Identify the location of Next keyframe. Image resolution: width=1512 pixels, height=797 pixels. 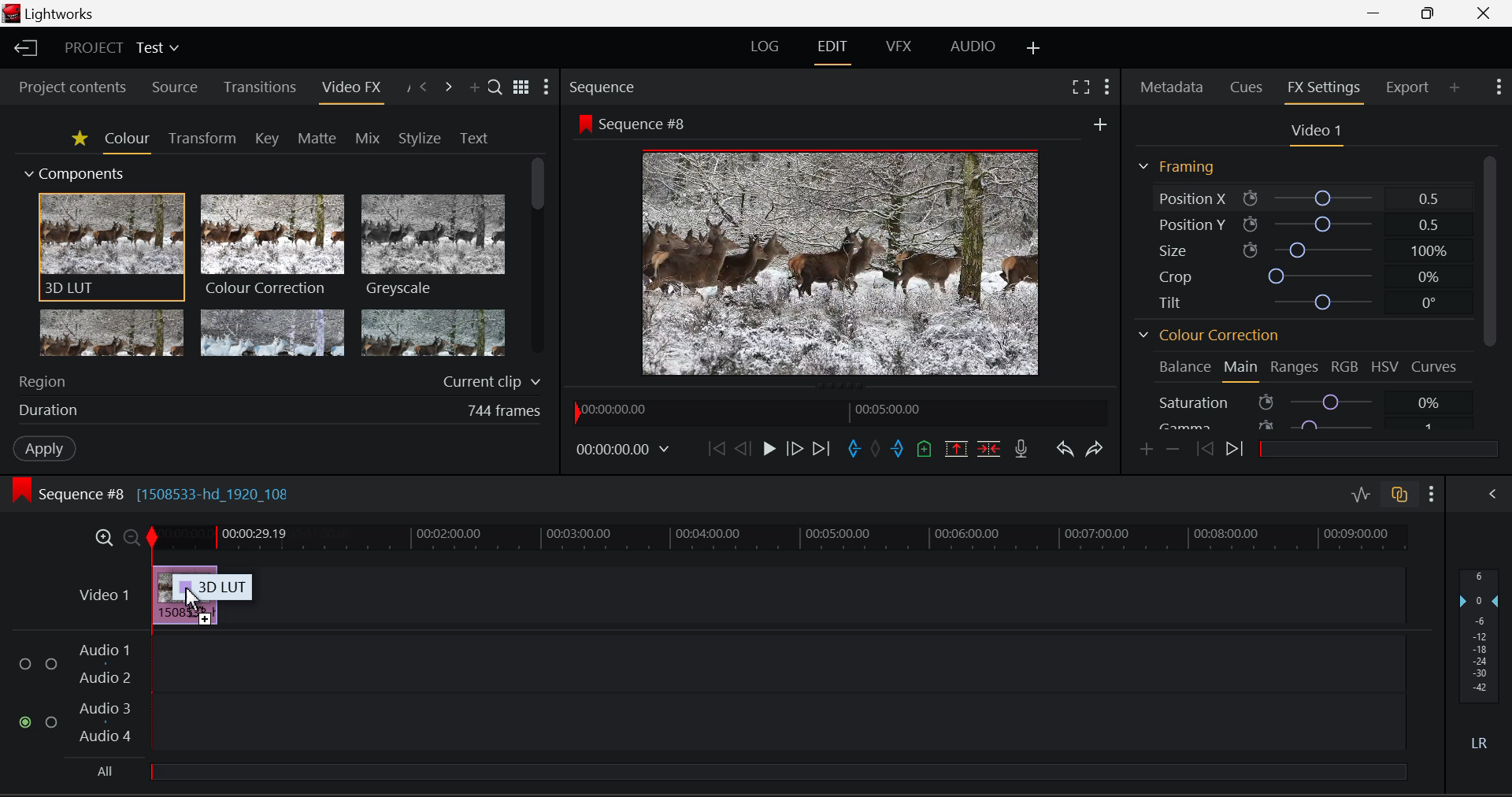
(1235, 449).